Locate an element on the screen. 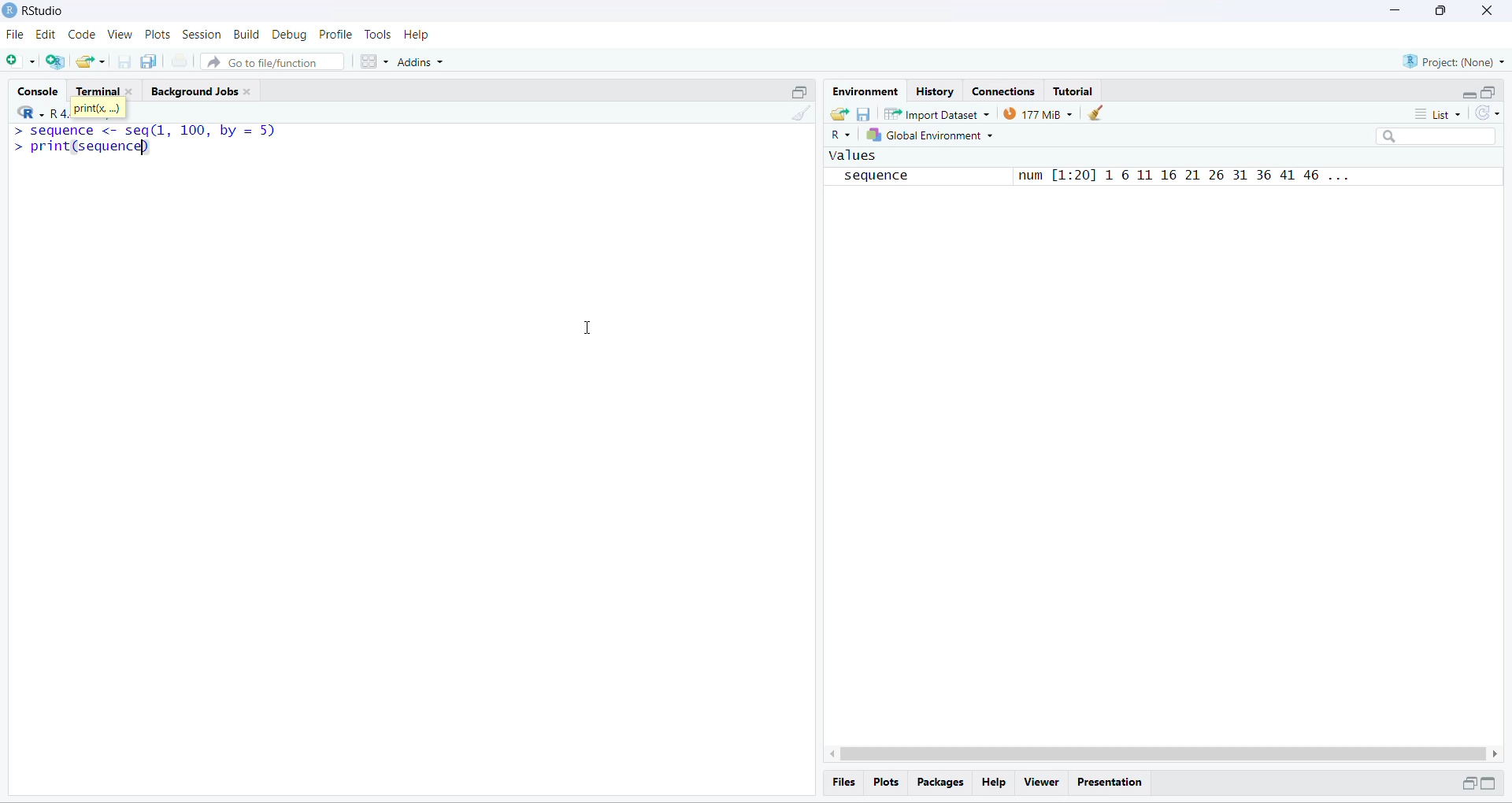 The image size is (1512, 803). code is located at coordinates (83, 35).